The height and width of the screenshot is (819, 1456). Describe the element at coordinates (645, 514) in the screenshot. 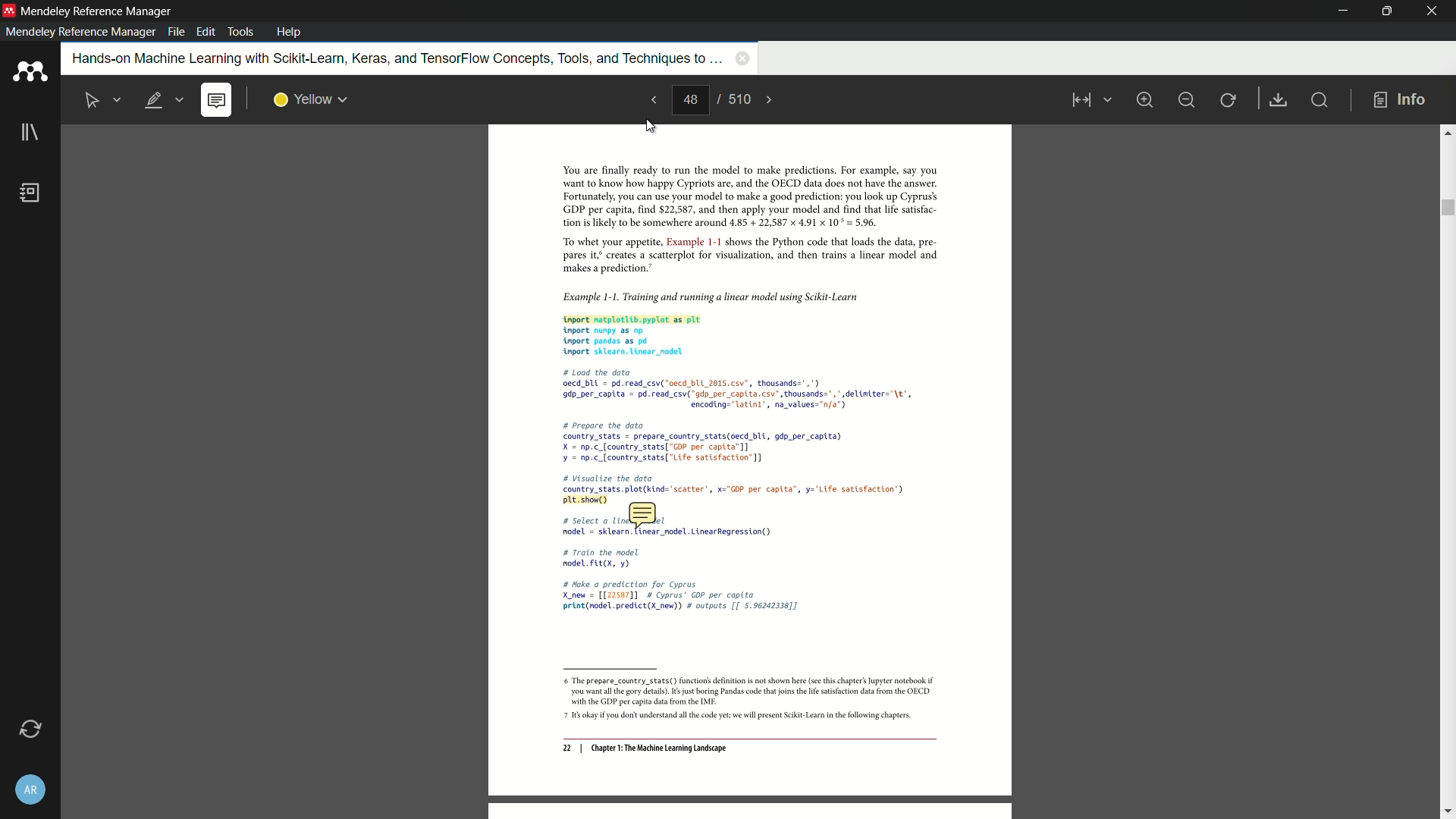

I see `note icon` at that location.